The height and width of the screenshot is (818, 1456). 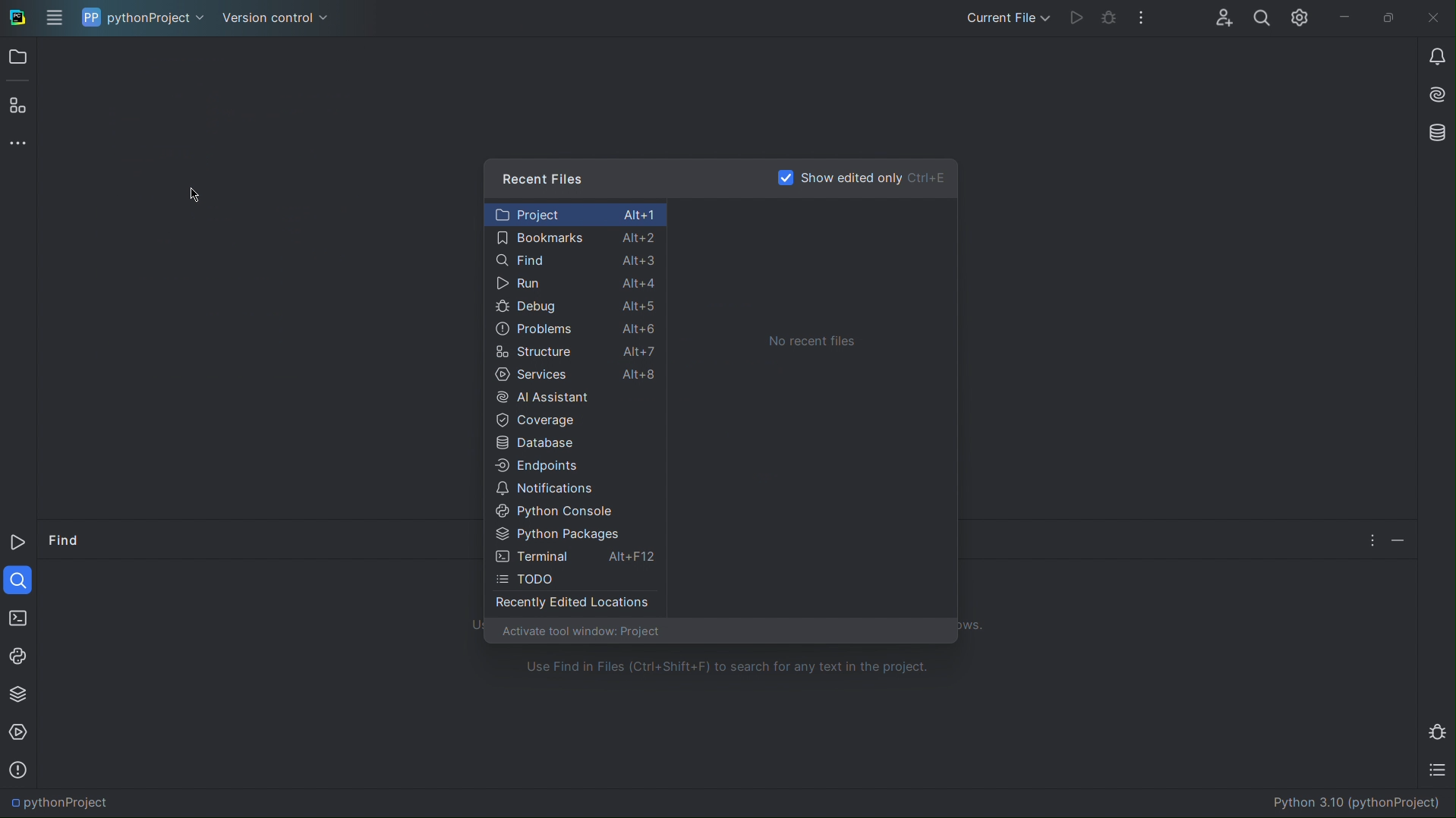 What do you see at coordinates (576, 397) in the screenshot?
I see `AI Assistant` at bounding box center [576, 397].